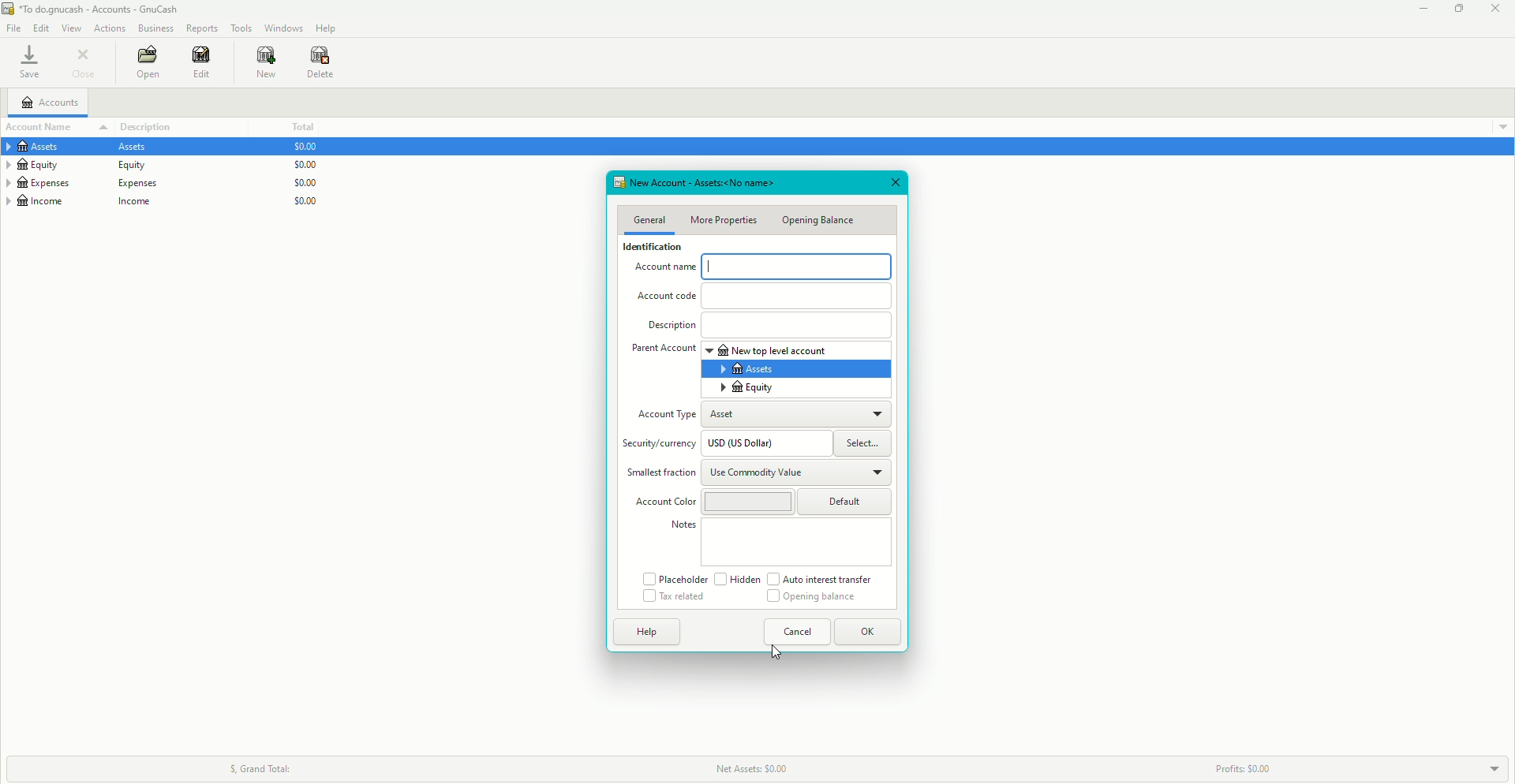 The width and height of the screenshot is (1515, 784). Describe the element at coordinates (258, 62) in the screenshot. I see `New` at that location.